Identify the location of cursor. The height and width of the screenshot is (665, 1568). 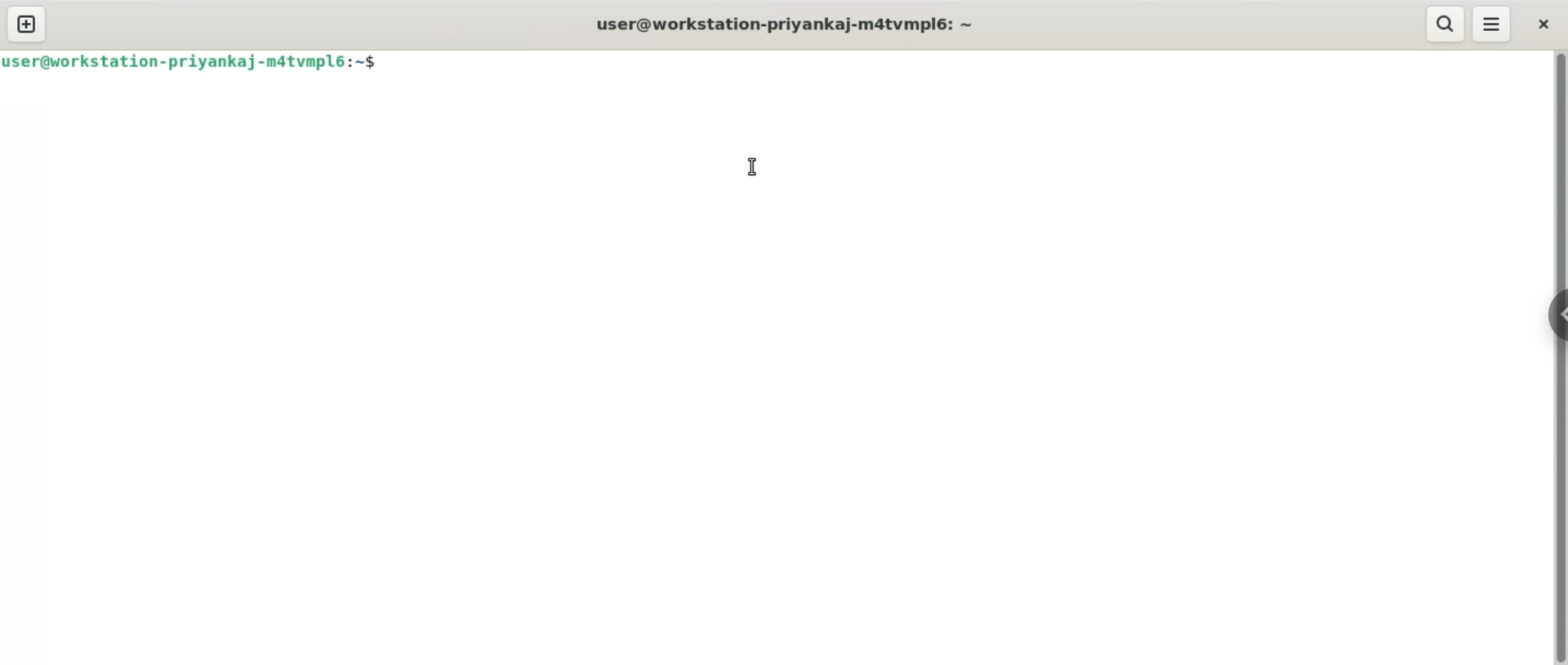
(752, 165).